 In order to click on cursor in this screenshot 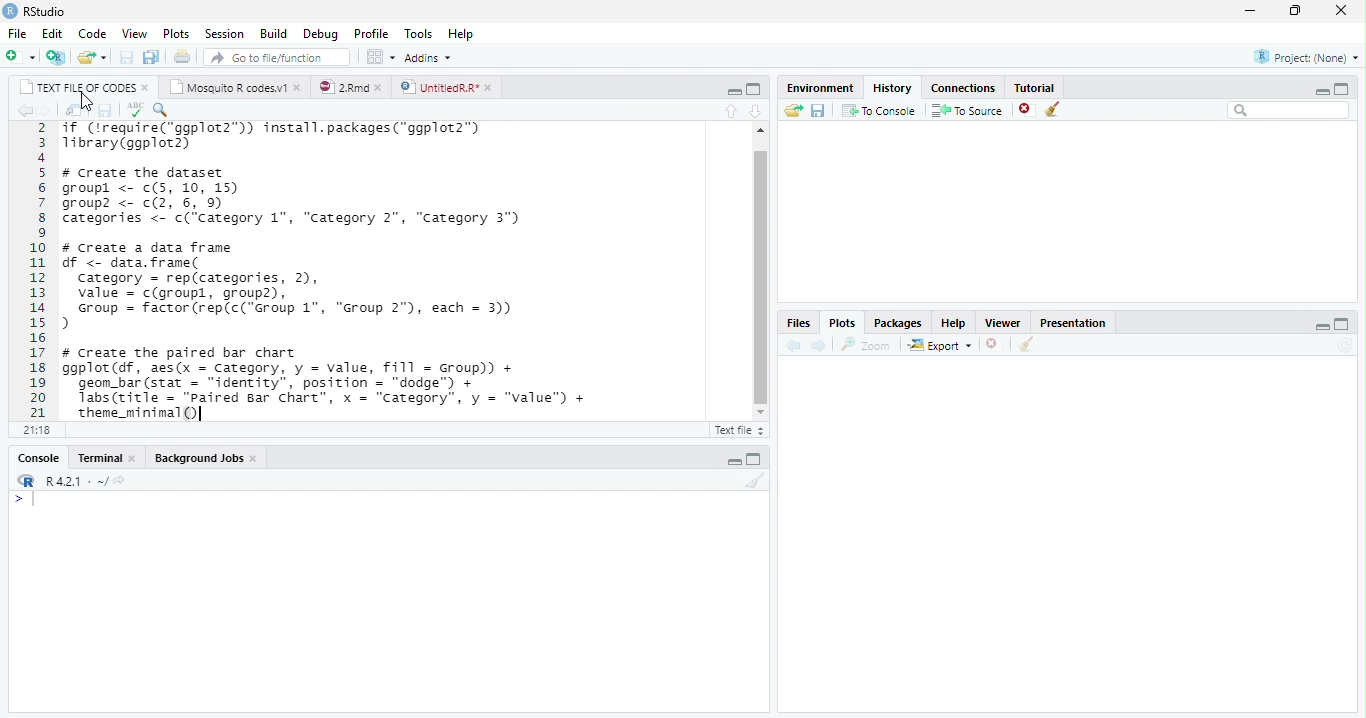, I will do `click(86, 101)`.